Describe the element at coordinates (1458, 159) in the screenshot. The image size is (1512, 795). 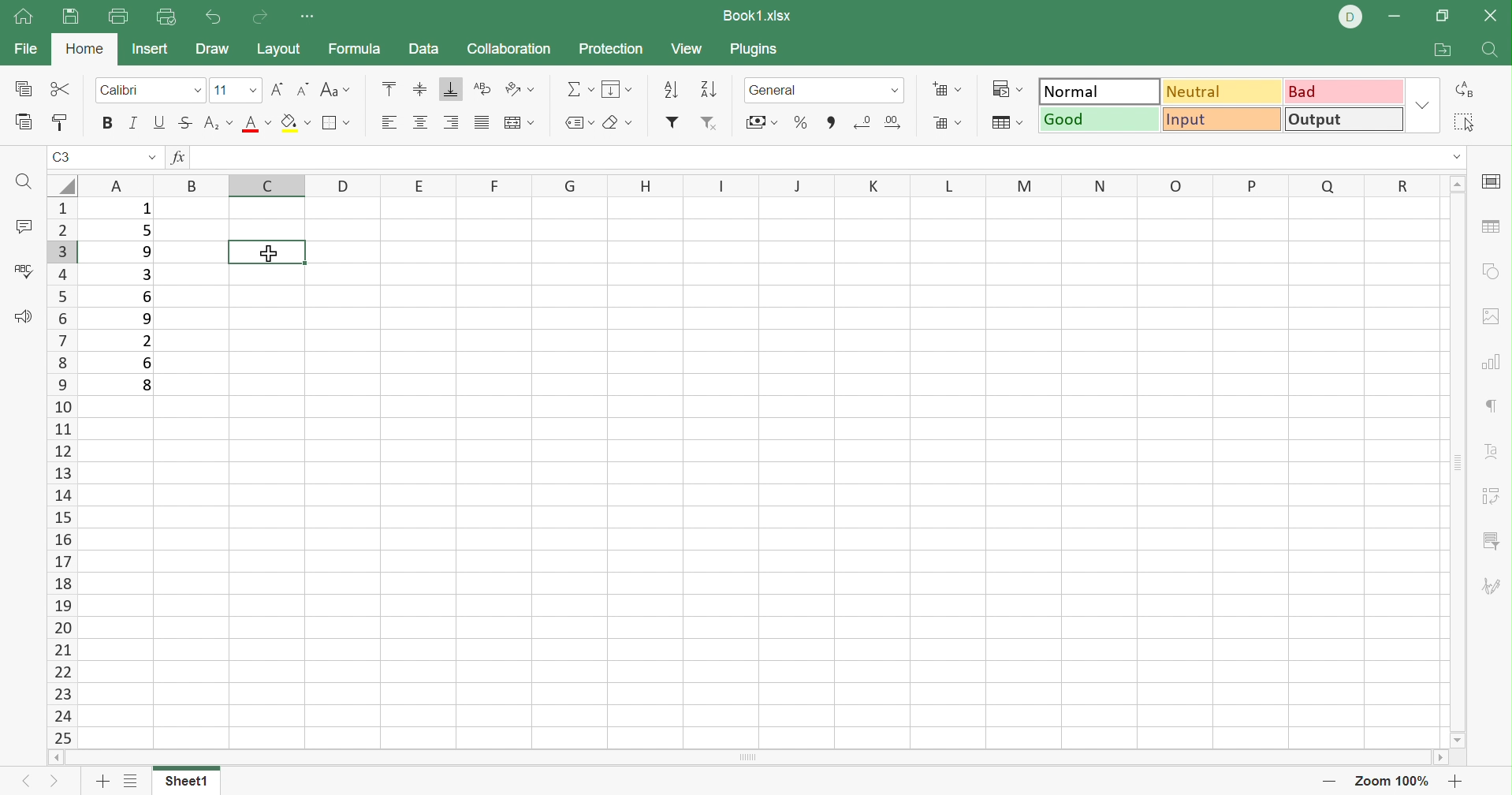
I see `Drop Down` at that location.